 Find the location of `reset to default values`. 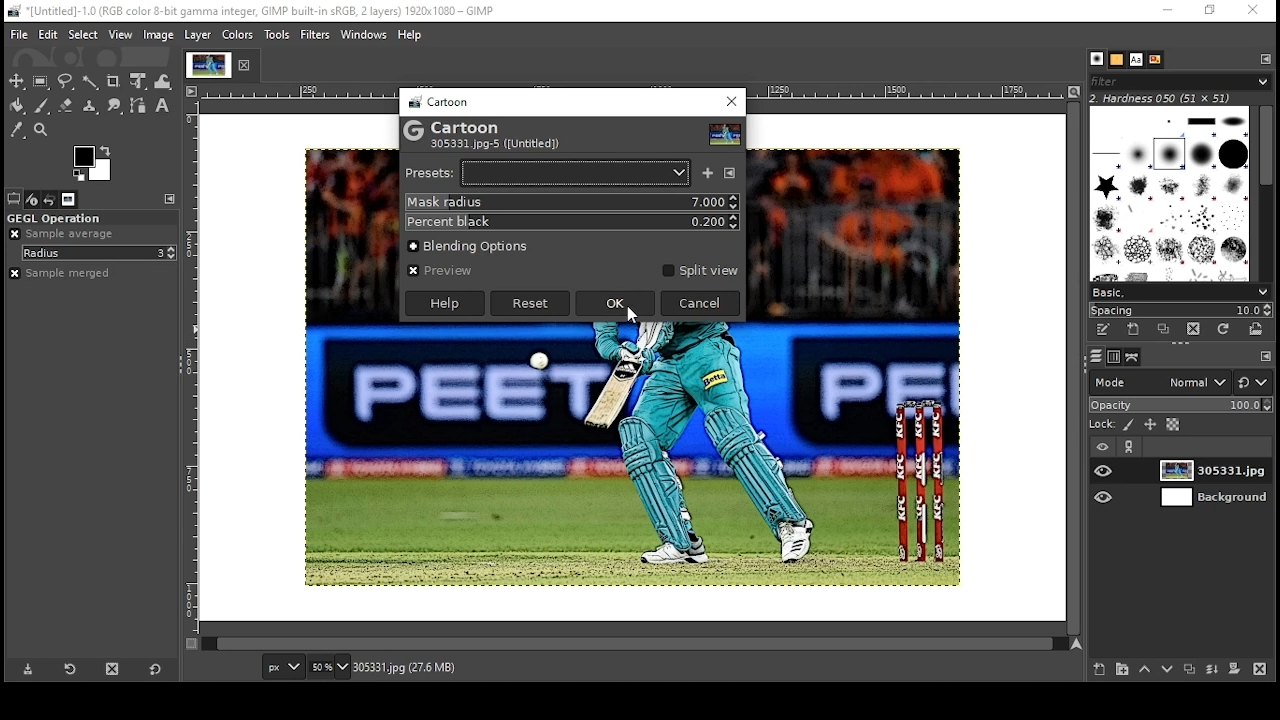

reset to default values is located at coordinates (157, 668).